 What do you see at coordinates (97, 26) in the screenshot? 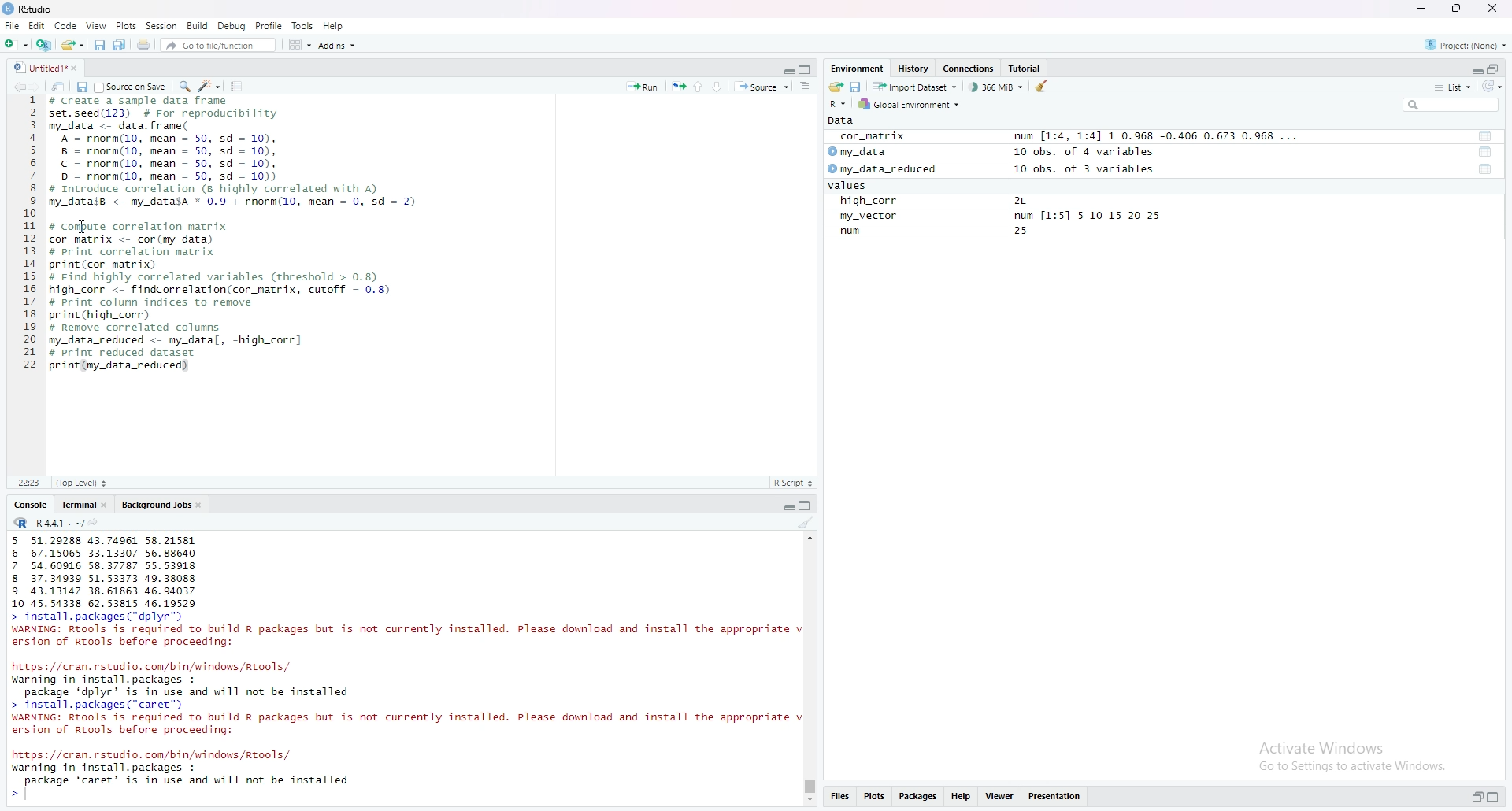
I see `View` at bounding box center [97, 26].